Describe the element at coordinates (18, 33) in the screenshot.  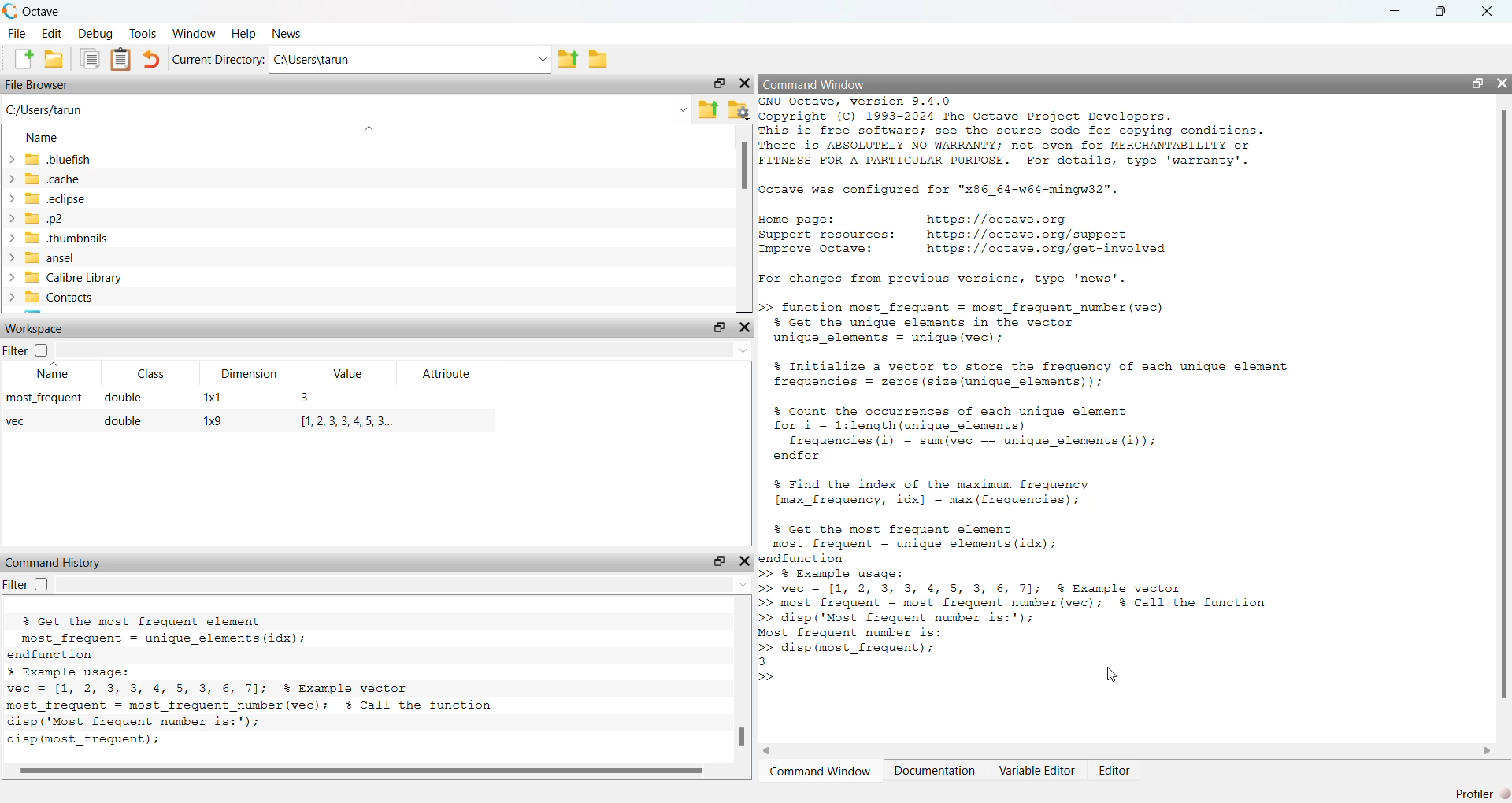
I see `File` at that location.